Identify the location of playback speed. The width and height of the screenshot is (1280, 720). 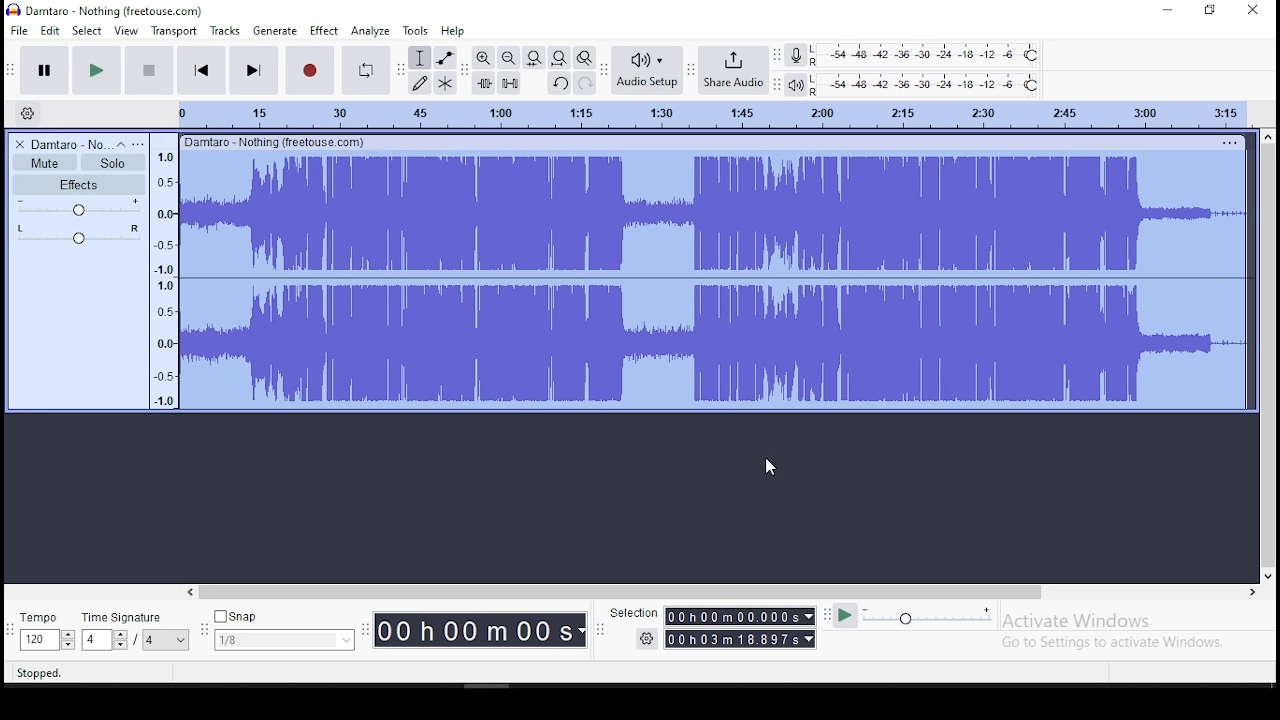
(913, 618).